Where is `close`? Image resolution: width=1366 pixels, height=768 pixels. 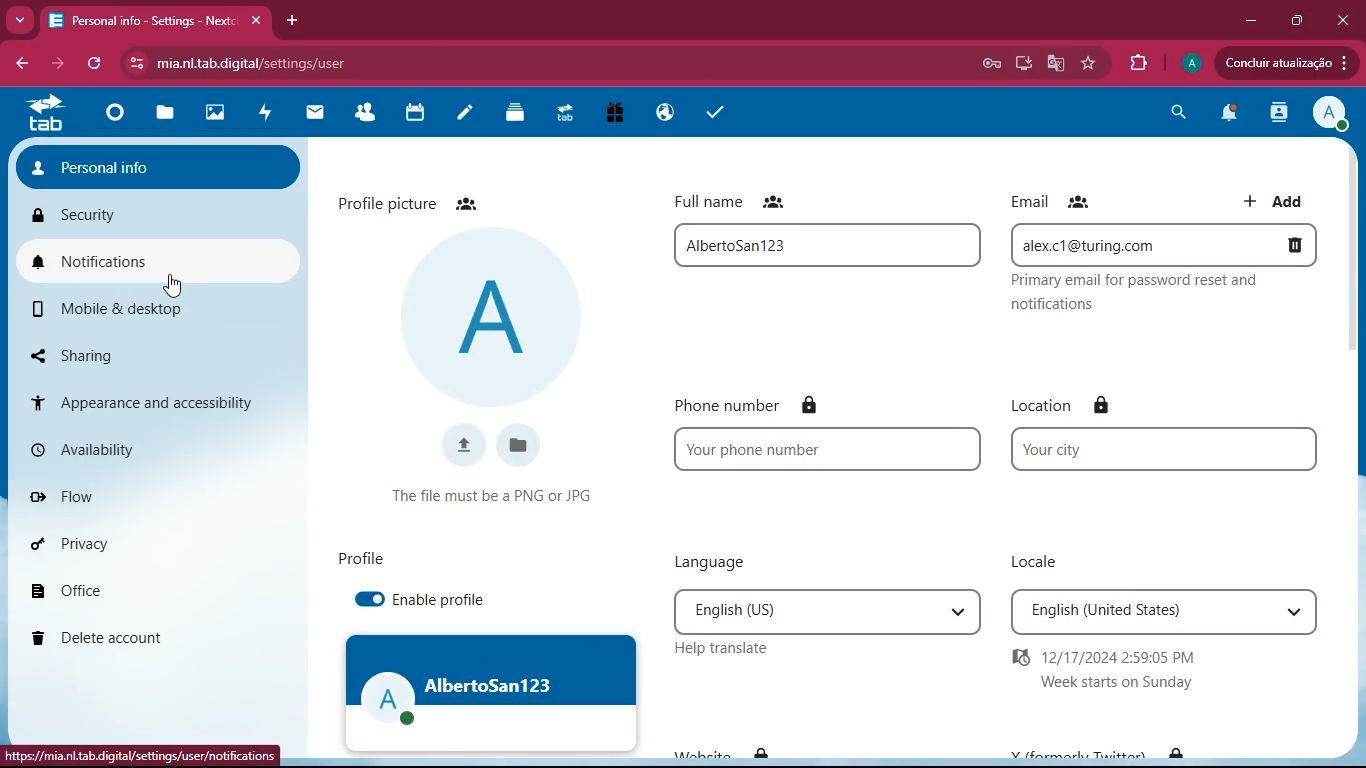 close is located at coordinates (1341, 20).